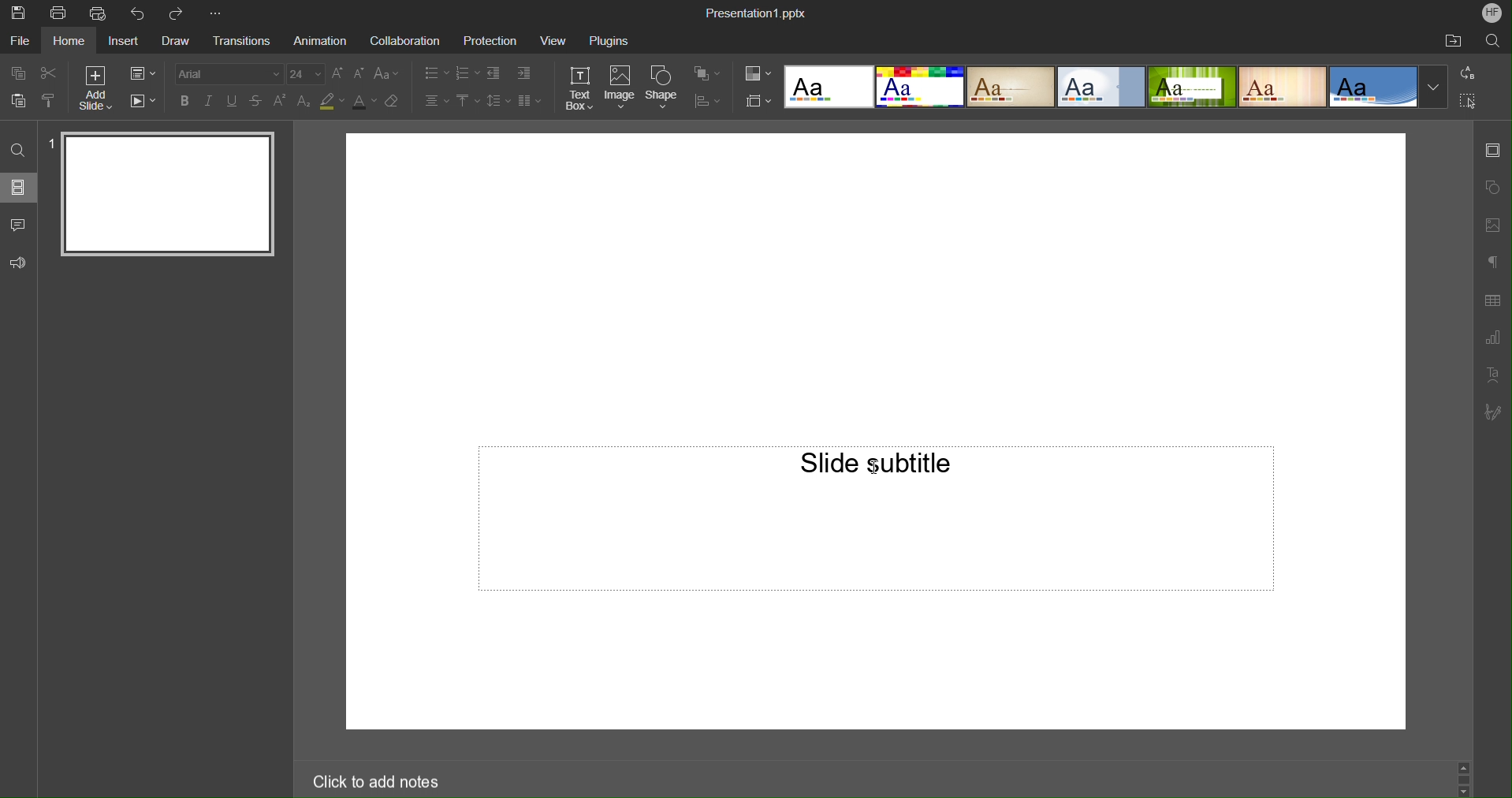  Describe the element at coordinates (1452, 40) in the screenshot. I see `Open File Location` at that location.